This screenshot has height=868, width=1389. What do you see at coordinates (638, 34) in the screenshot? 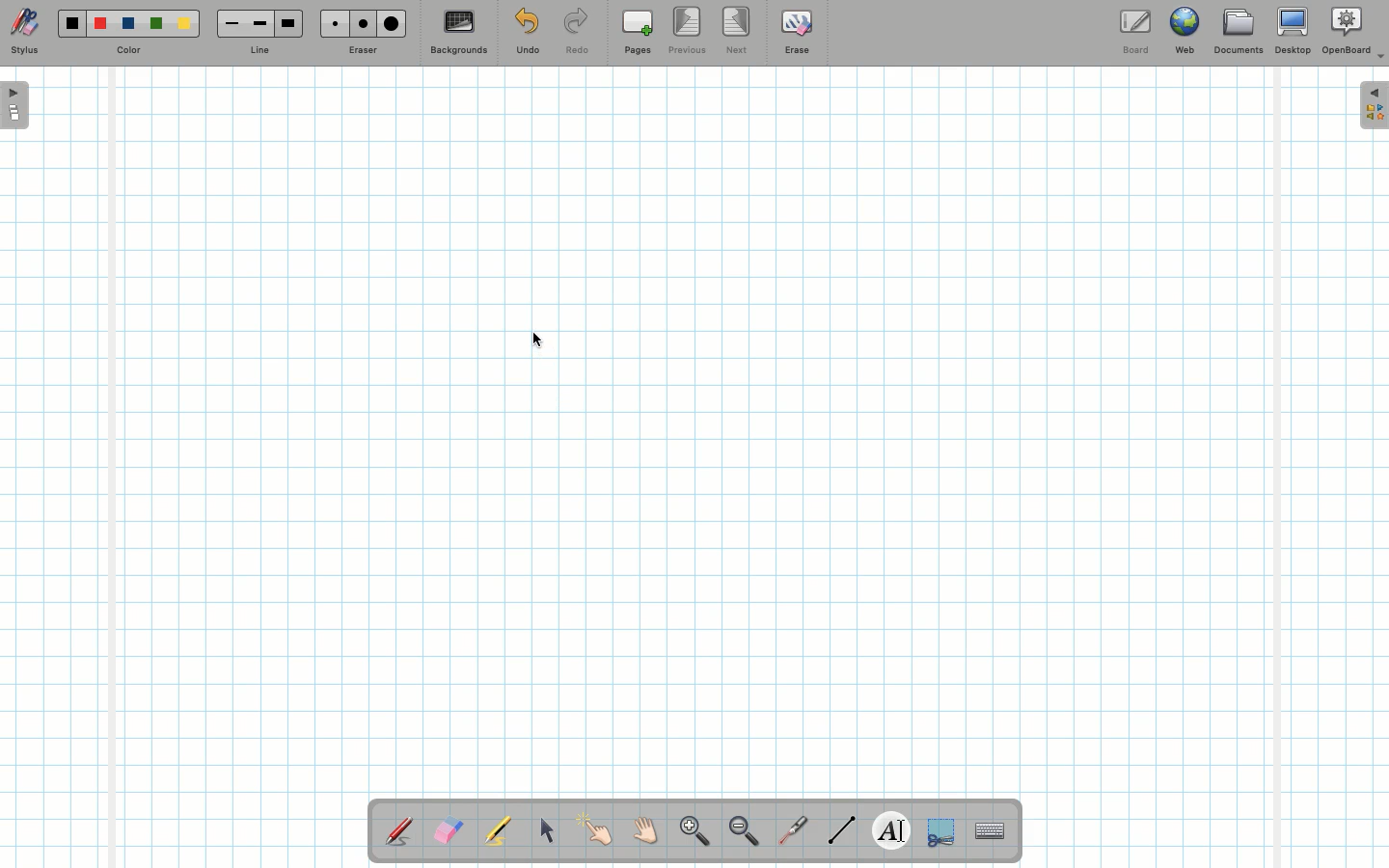
I see `Pages` at bounding box center [638, 34].